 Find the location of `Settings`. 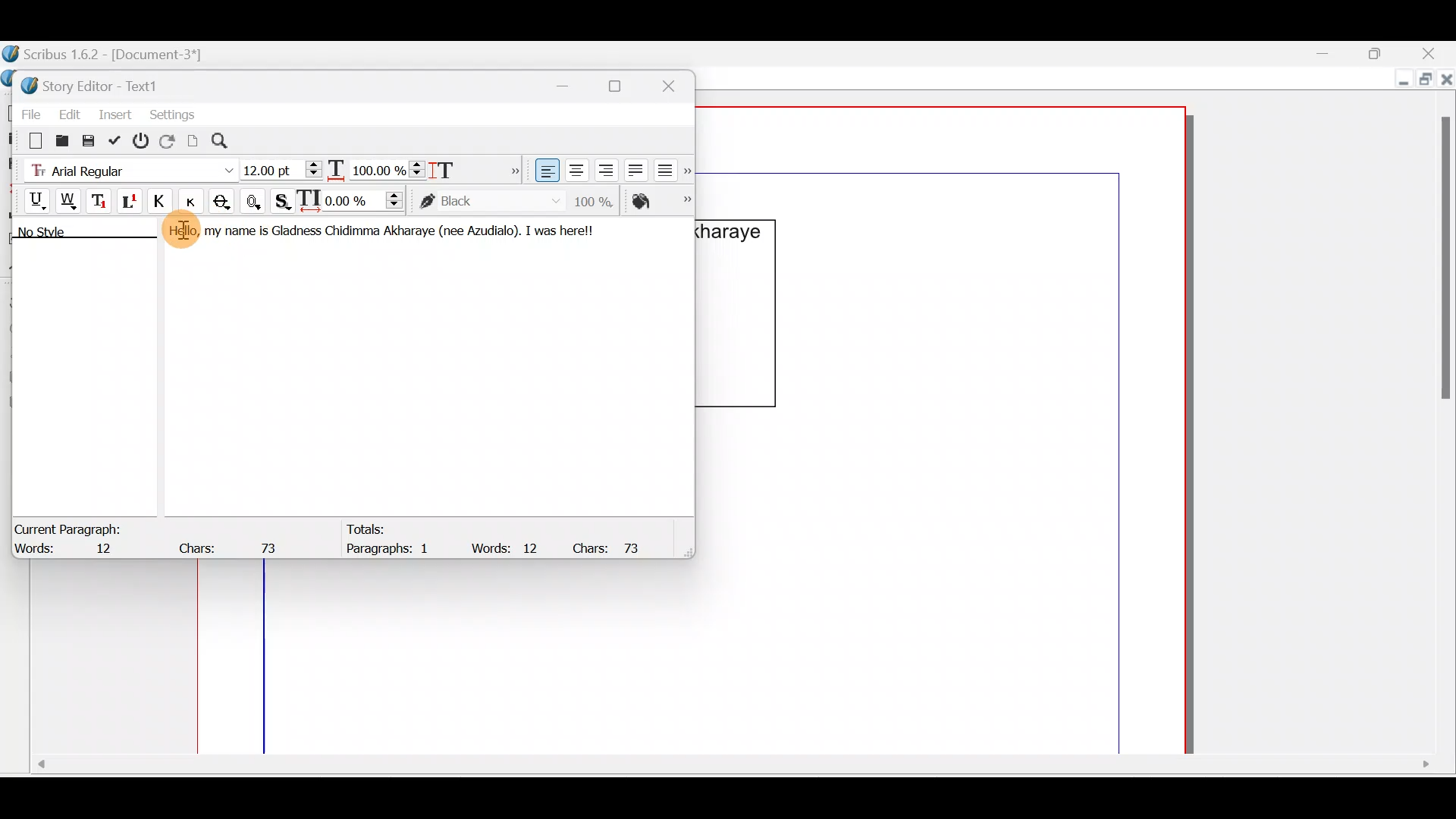

Settings is located at coordinates (172, 113).